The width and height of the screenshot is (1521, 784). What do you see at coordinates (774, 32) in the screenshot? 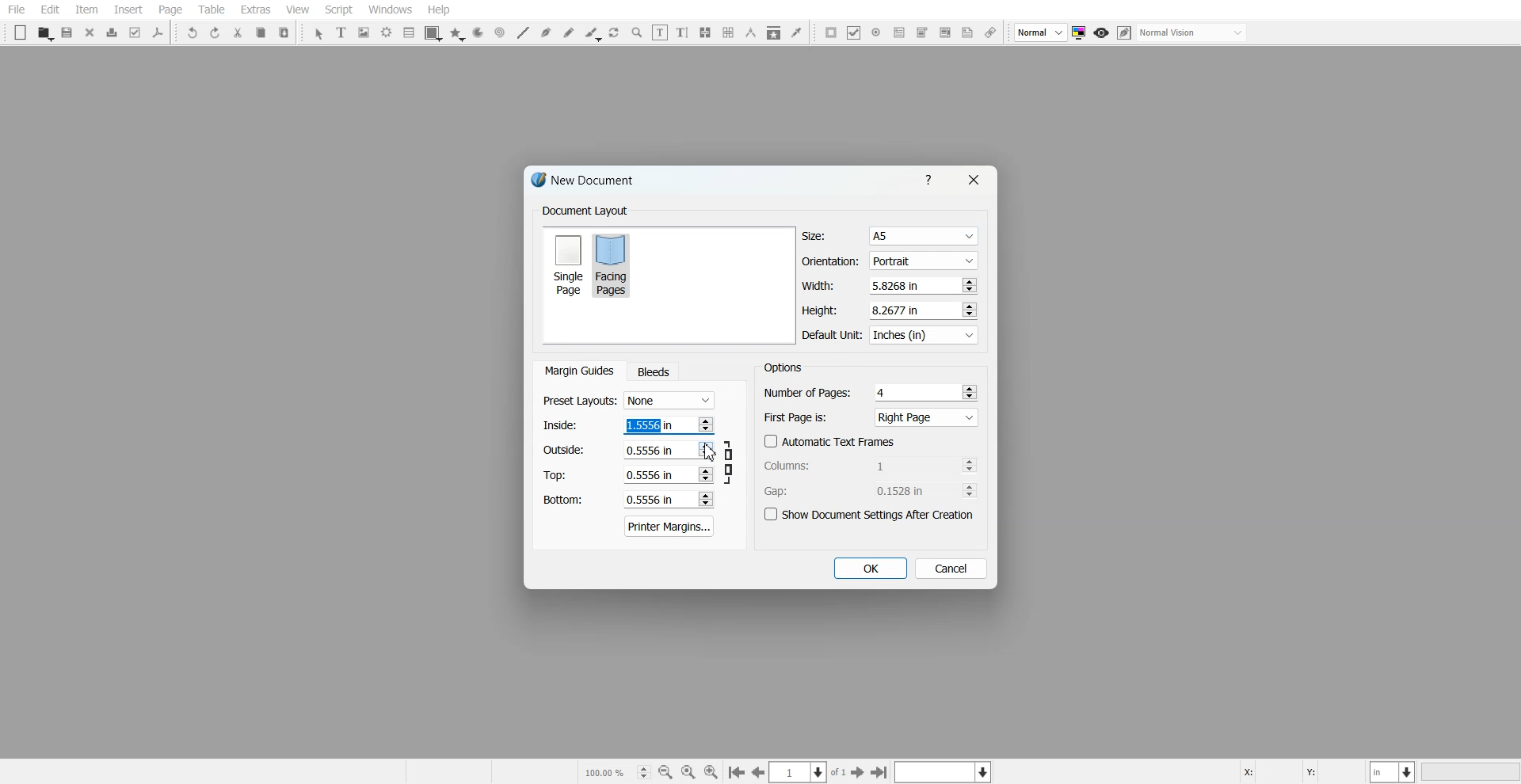
I see `Copy Item Properties` at bounding box center [774, 32].